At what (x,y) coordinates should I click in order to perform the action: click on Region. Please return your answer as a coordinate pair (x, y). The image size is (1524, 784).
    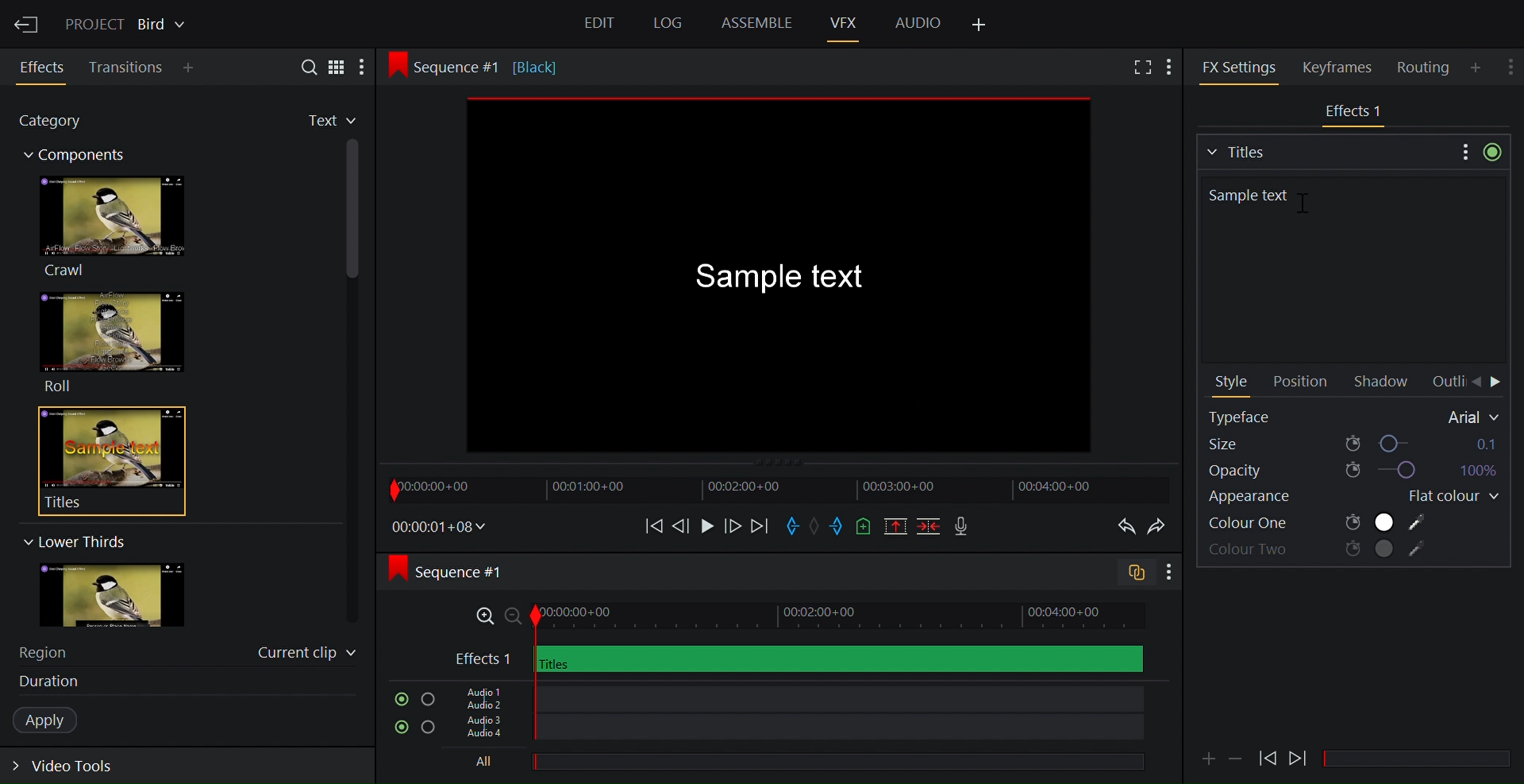
    Looking at the image, I should click on (52, 651).